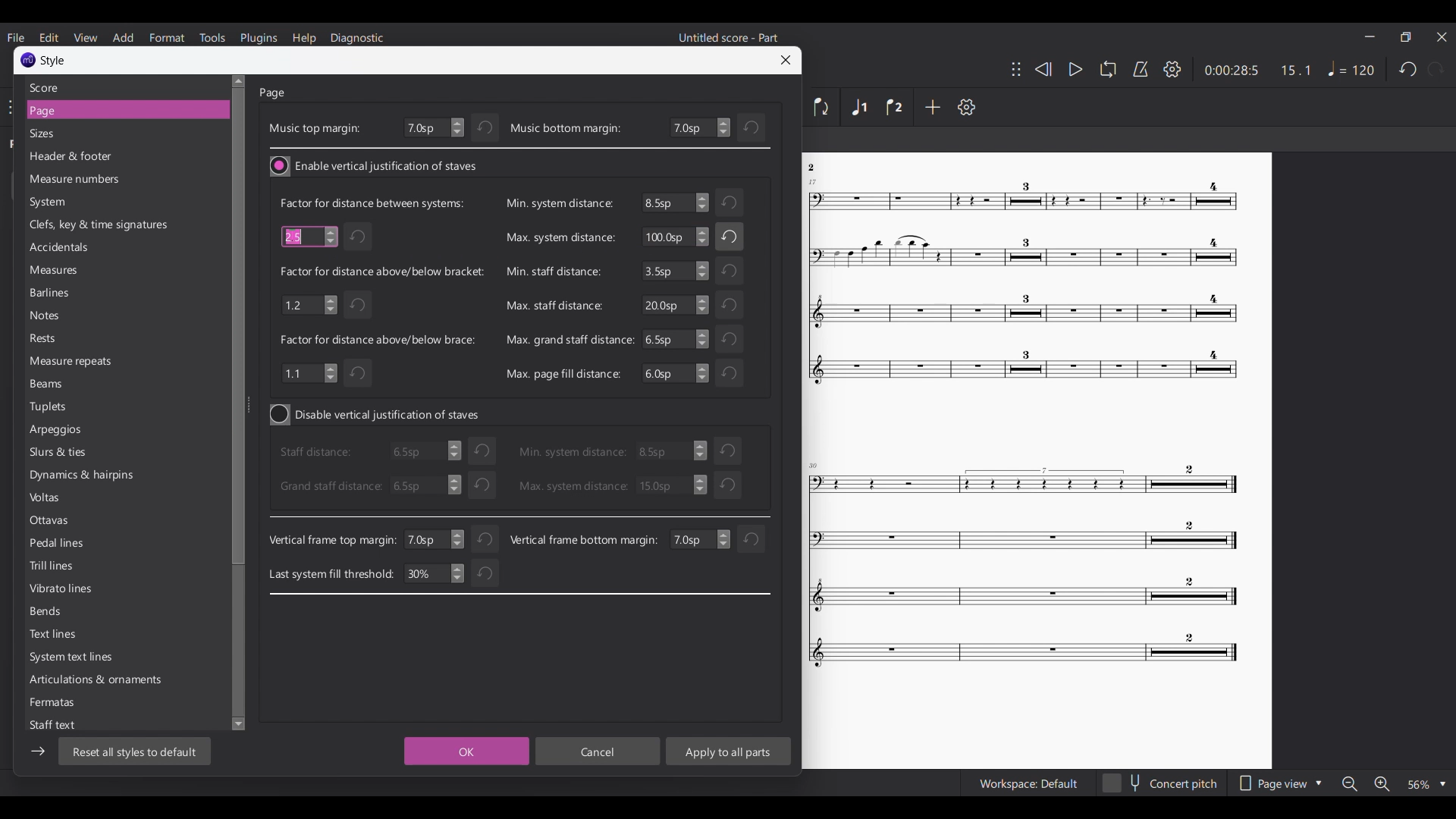 This screenshot has height=819, width=1456. I want to click on Fermates, so click(80, 706).